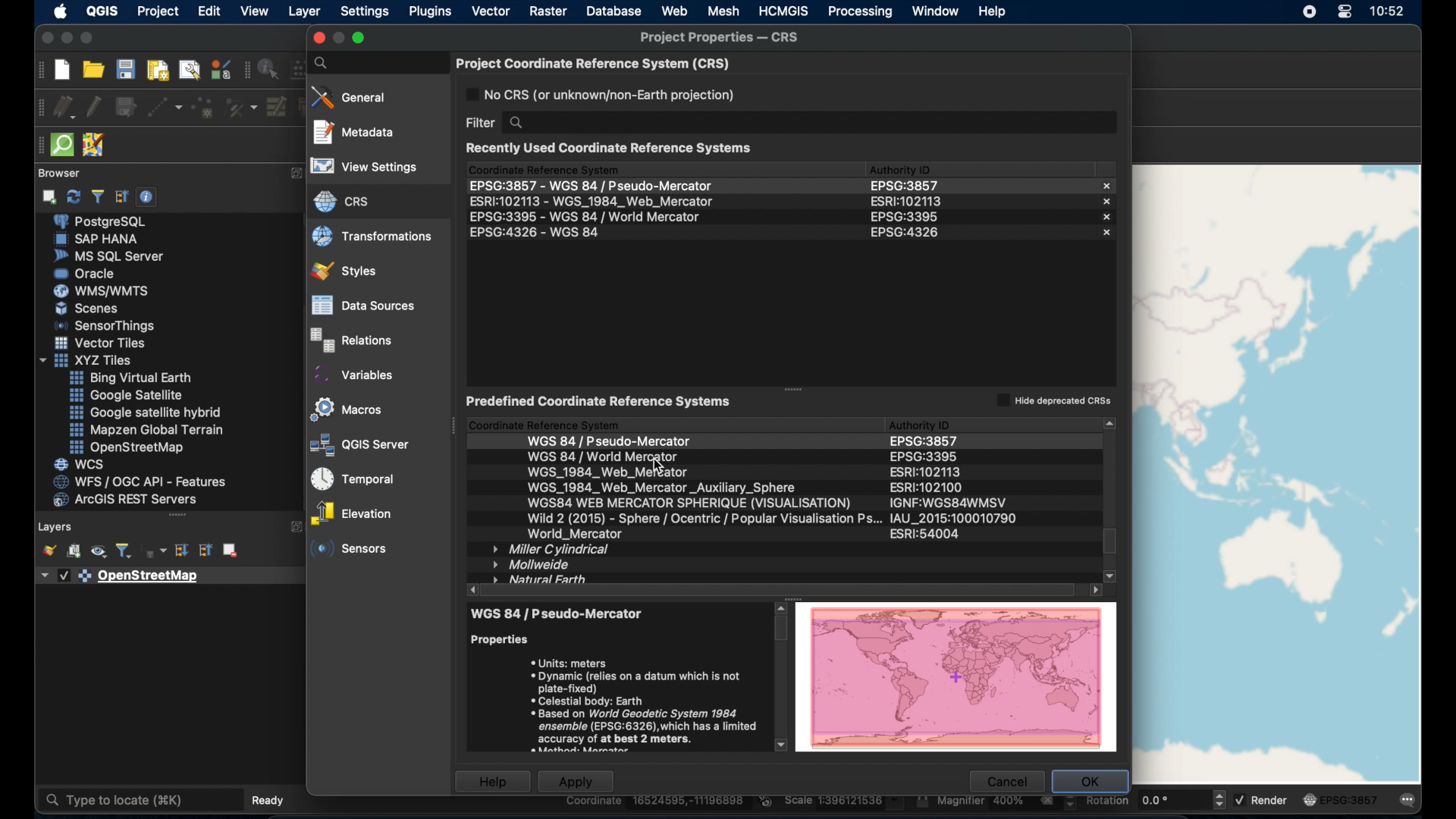  I want to click on * Units: meters

* Dynamic (relies on a datum which is not
plate-fixed)

* Celestial body: Earth

«Based on World Geodetic System 1984
ensemble (EPSG:6326),which has a limited
‘accuracy of at best 2 meters., so click(642, 700).